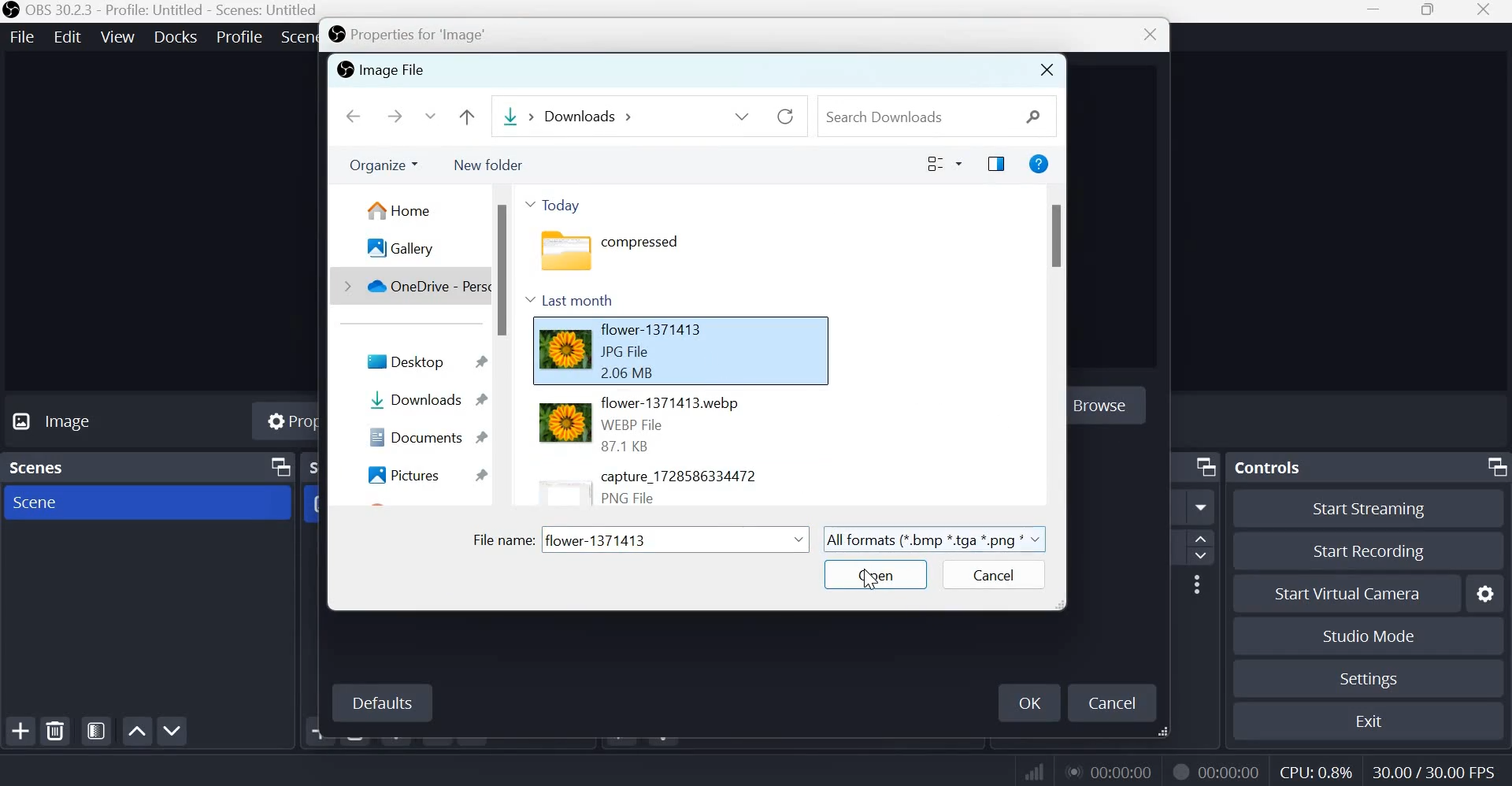 Image resolution: width=1512 pixels, height=786 pixels. Describe the element at coordinates (422, 360) in the screenshot. I see `desktop` at that location.